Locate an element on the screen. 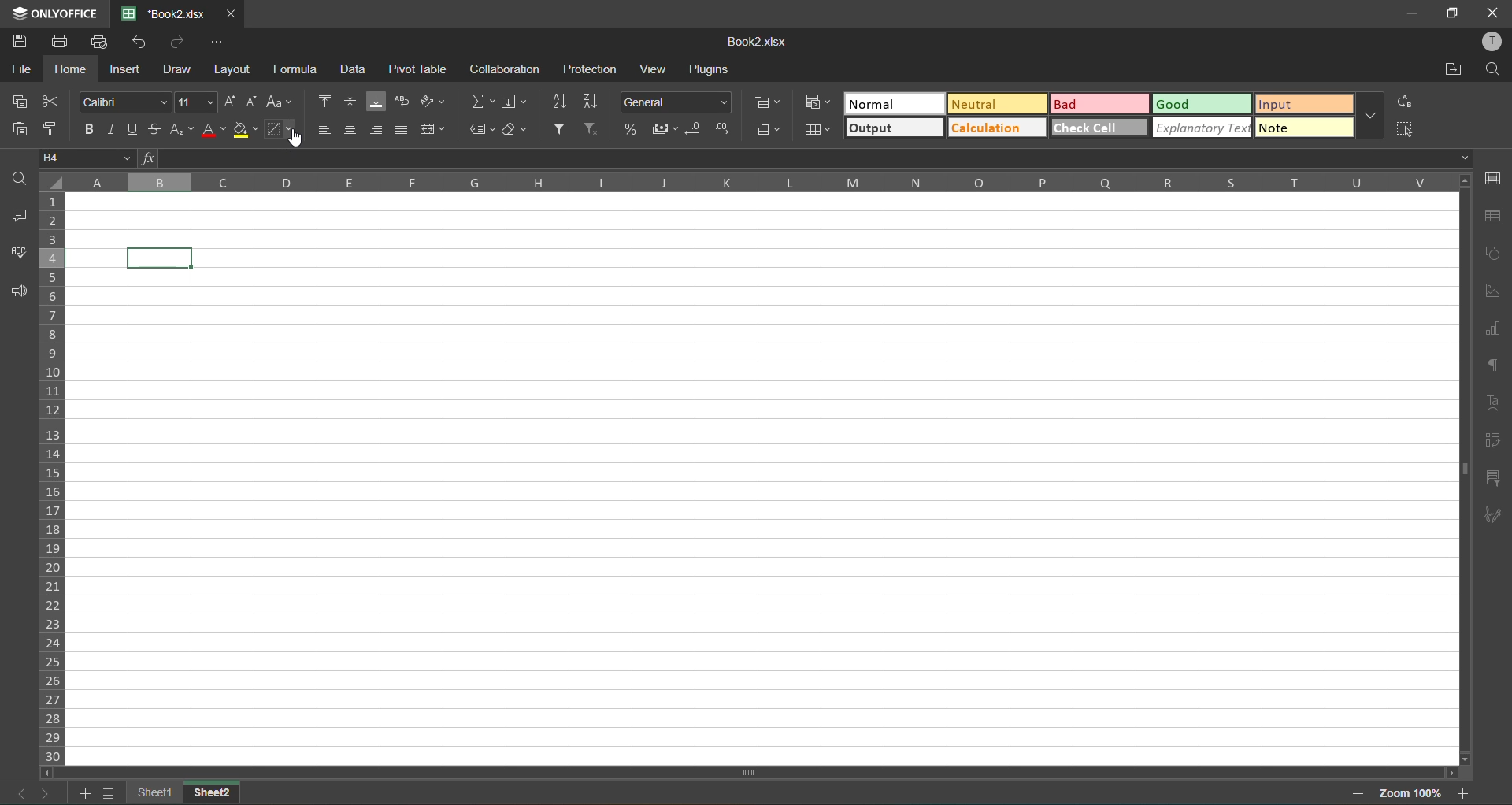  find is located at coordinates (1492, 71).